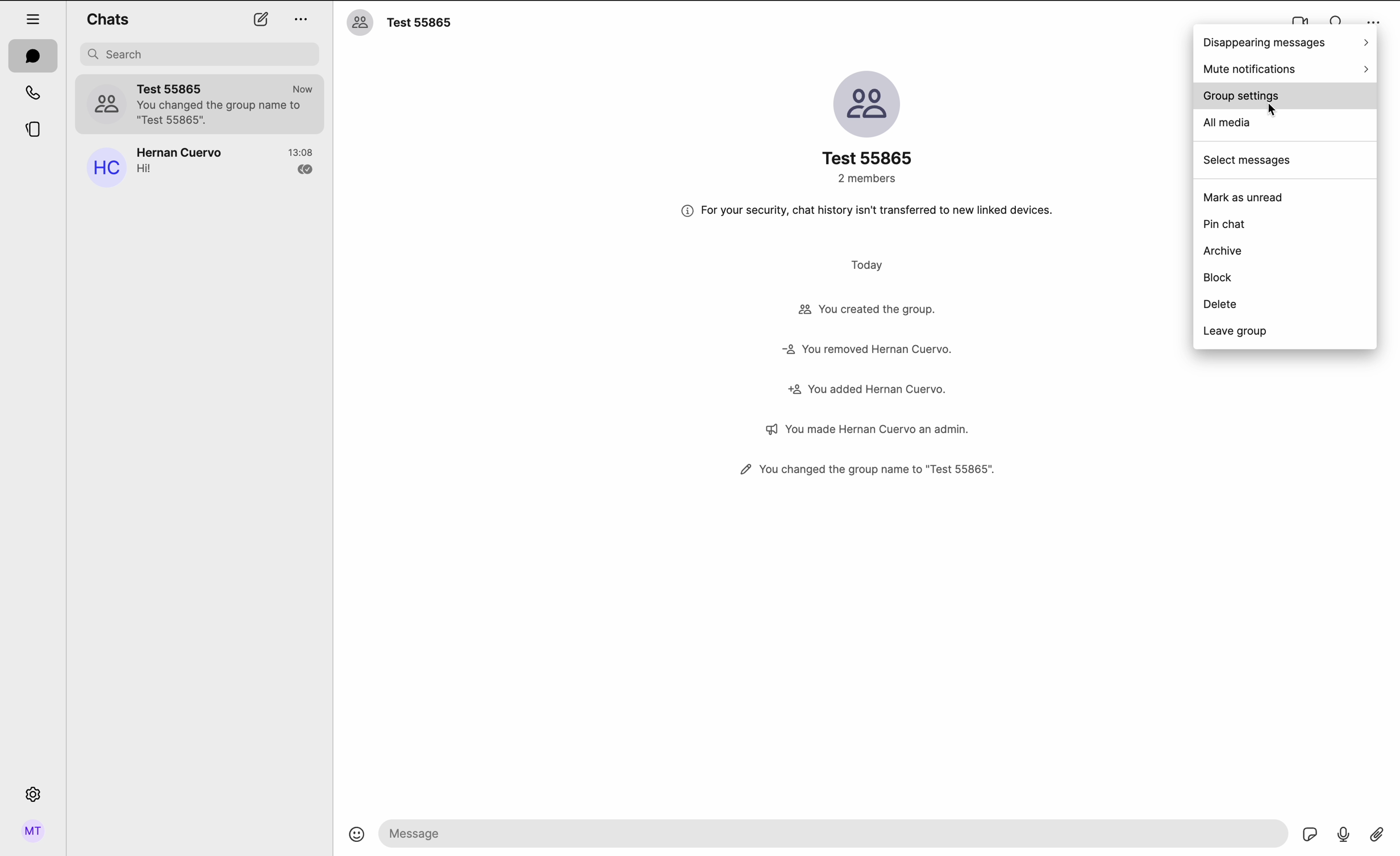 Image resolution: width=1400 pixels, height=856 pixels. I want to click on calls, so click(32, 92).